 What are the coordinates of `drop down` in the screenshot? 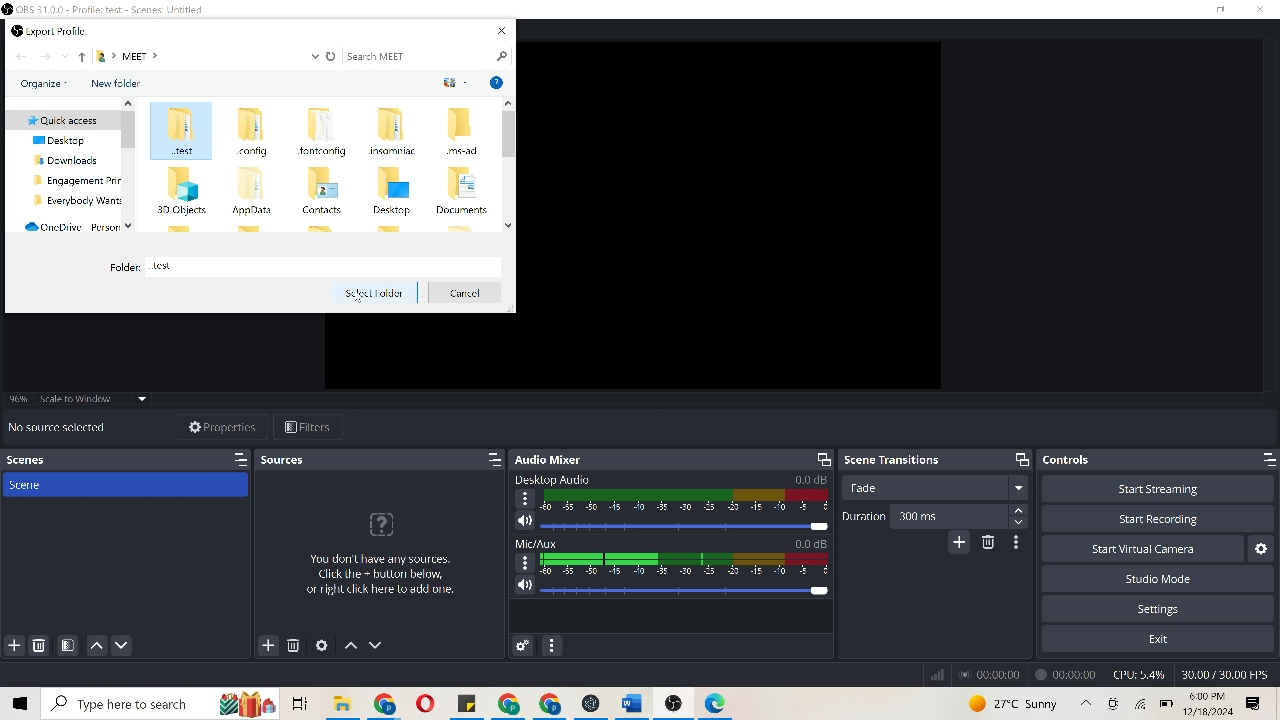 It's located at (61, 58).